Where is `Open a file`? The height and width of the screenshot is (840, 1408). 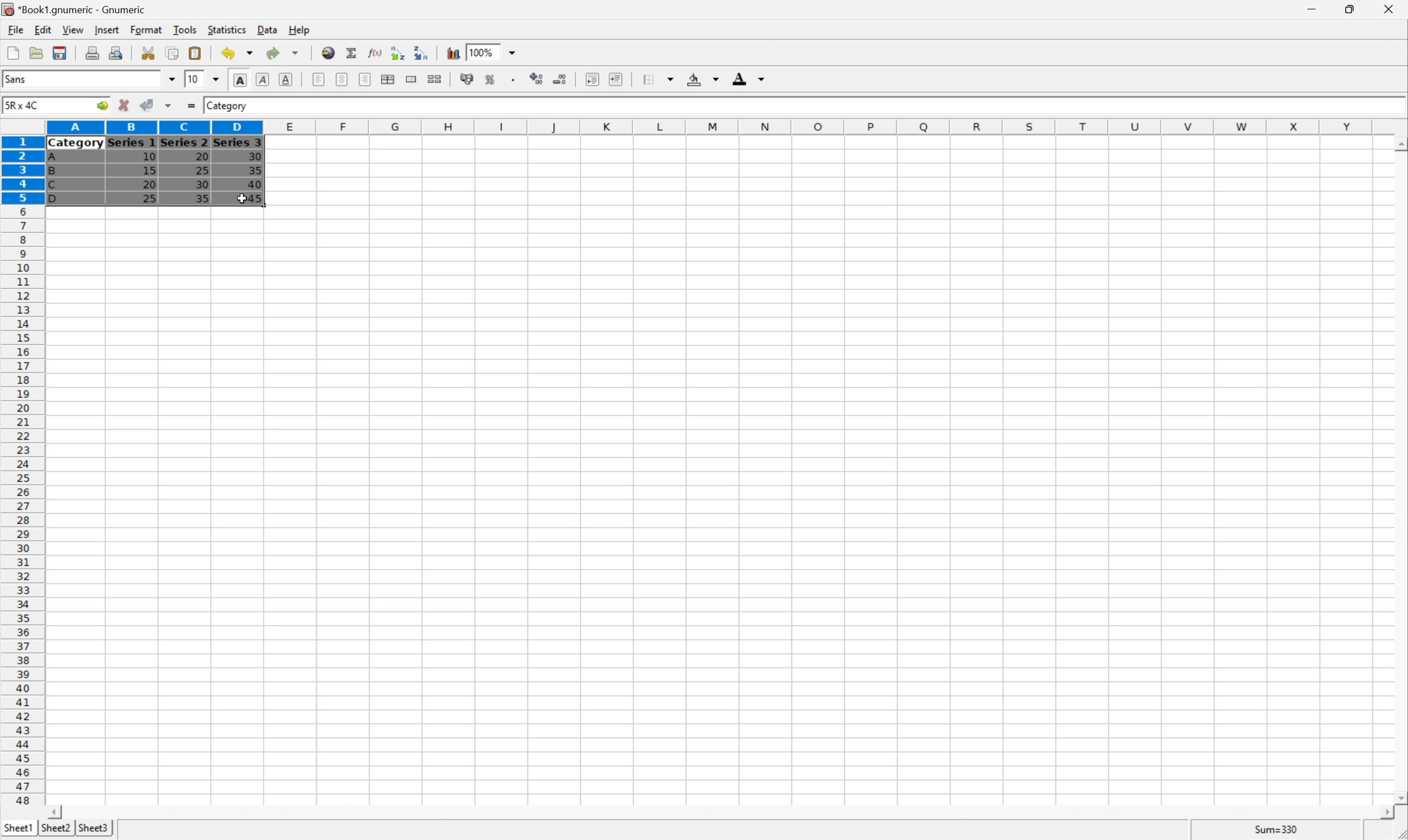 Open a file is located at coordinates (35, 53).